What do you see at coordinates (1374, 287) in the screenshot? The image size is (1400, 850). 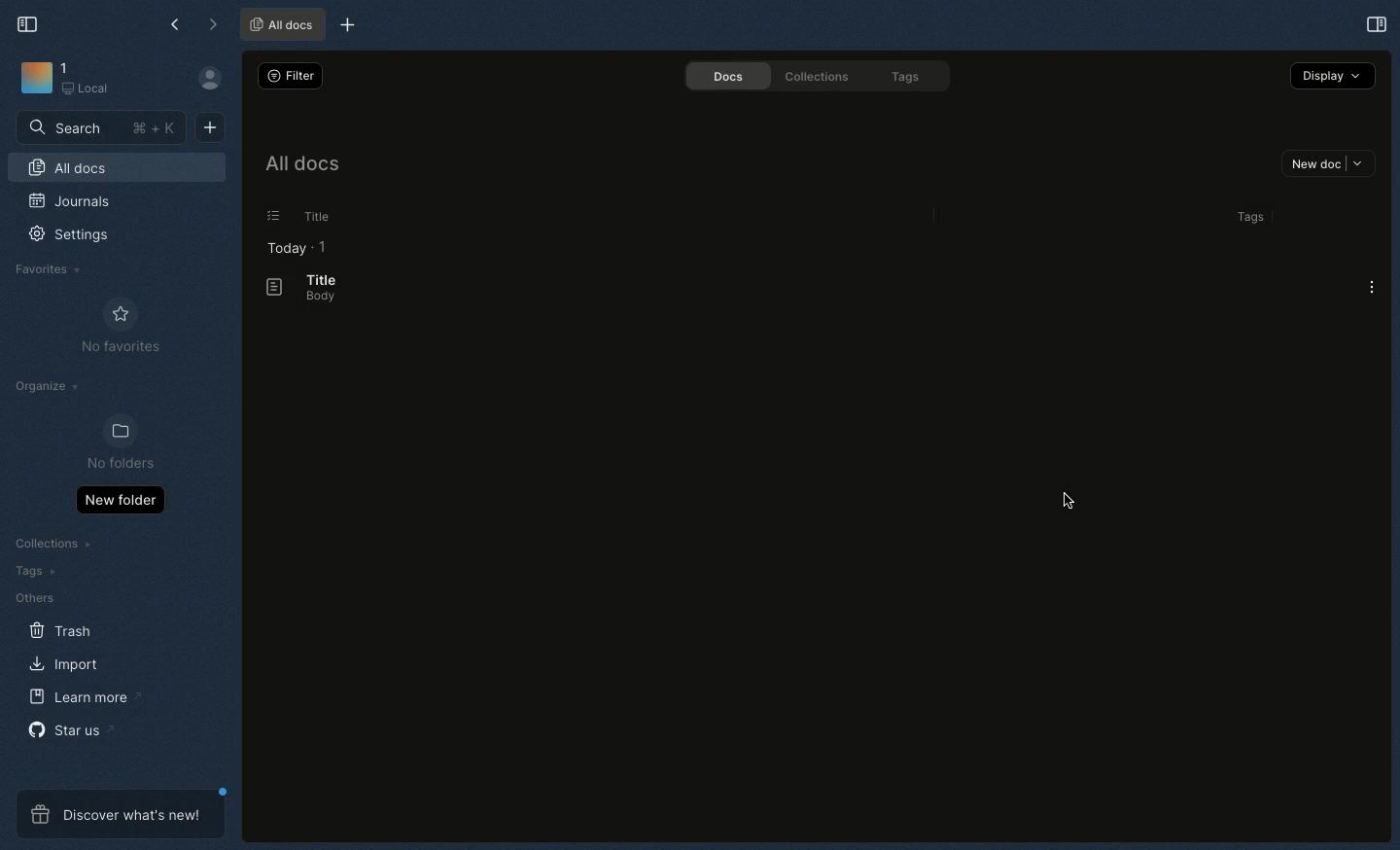 I see `more options` at bounding box center [1374, 287].